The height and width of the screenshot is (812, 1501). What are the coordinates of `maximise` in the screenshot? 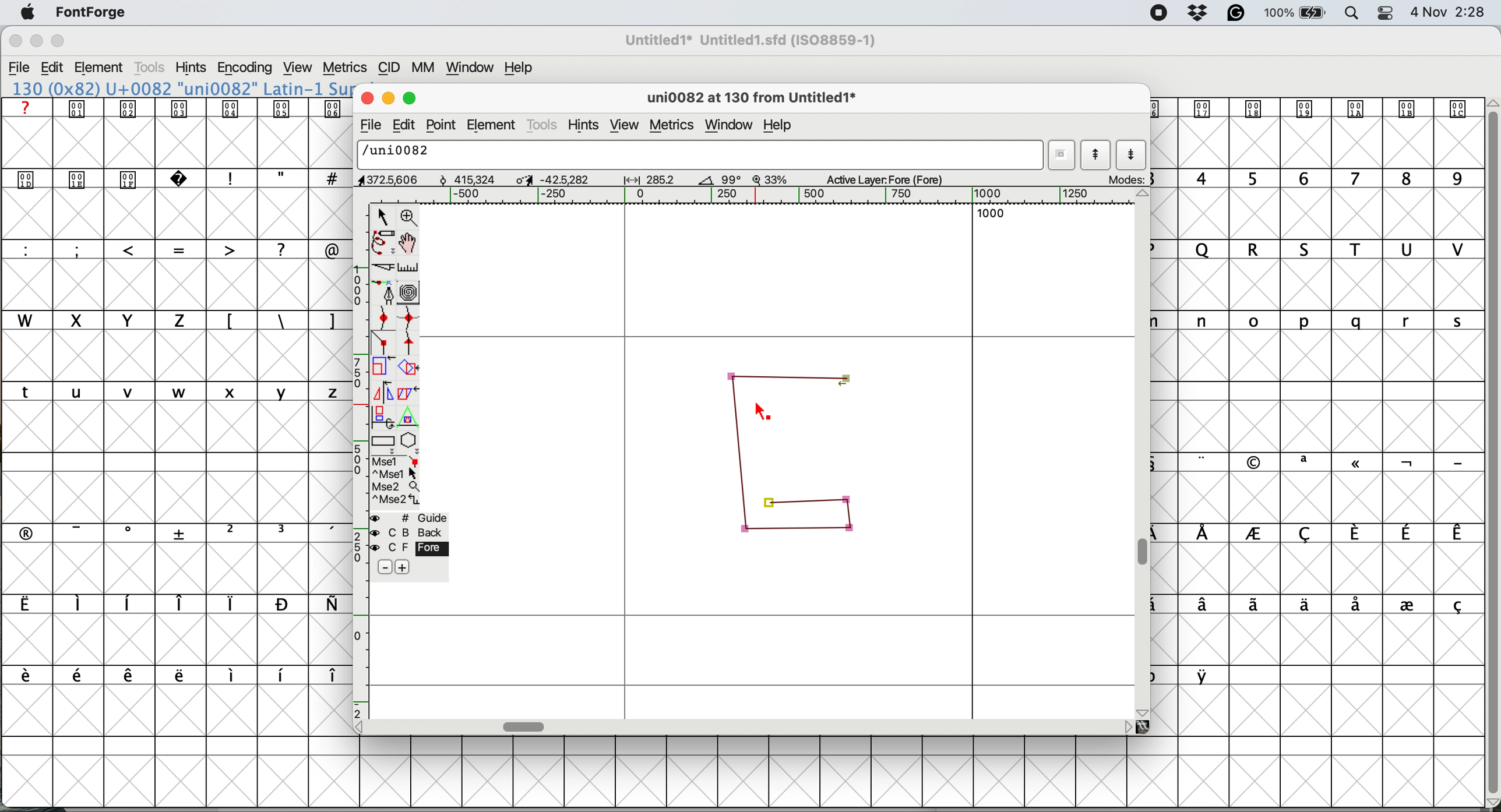 It's located at (59, 41).